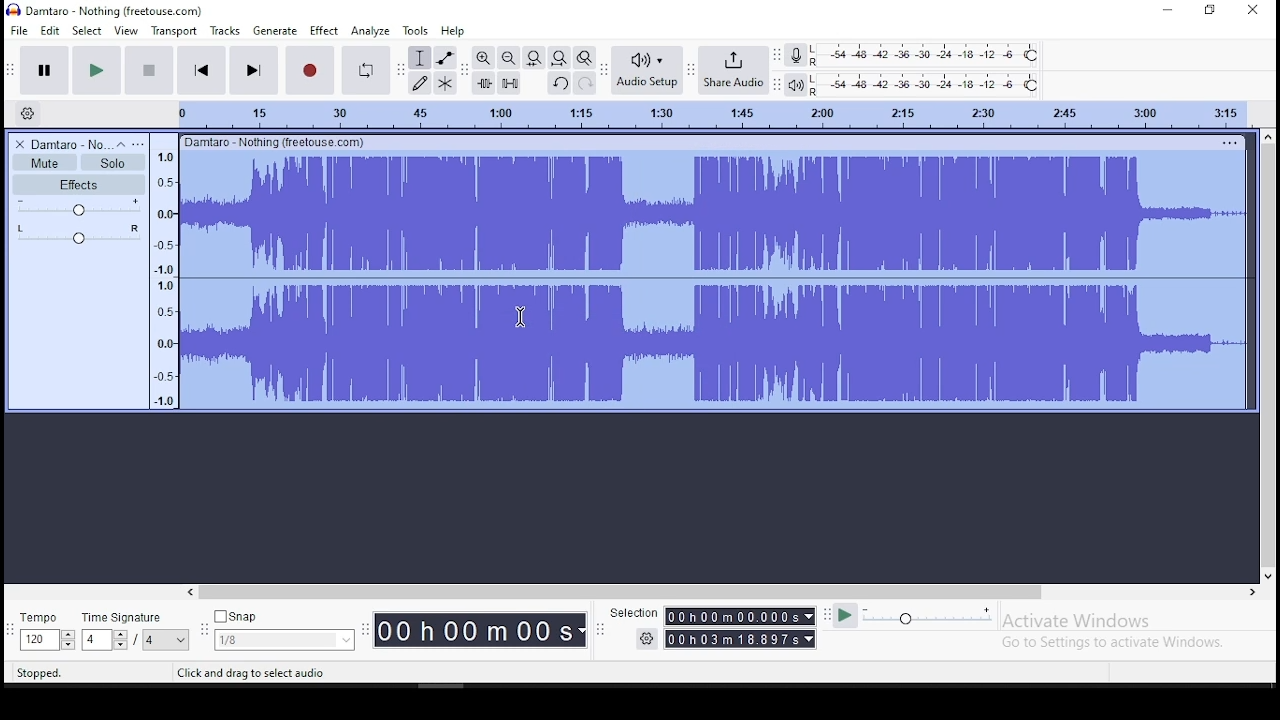 This screenshot has width=1280, height=720. I want to click on time menu, so click(740, 639).